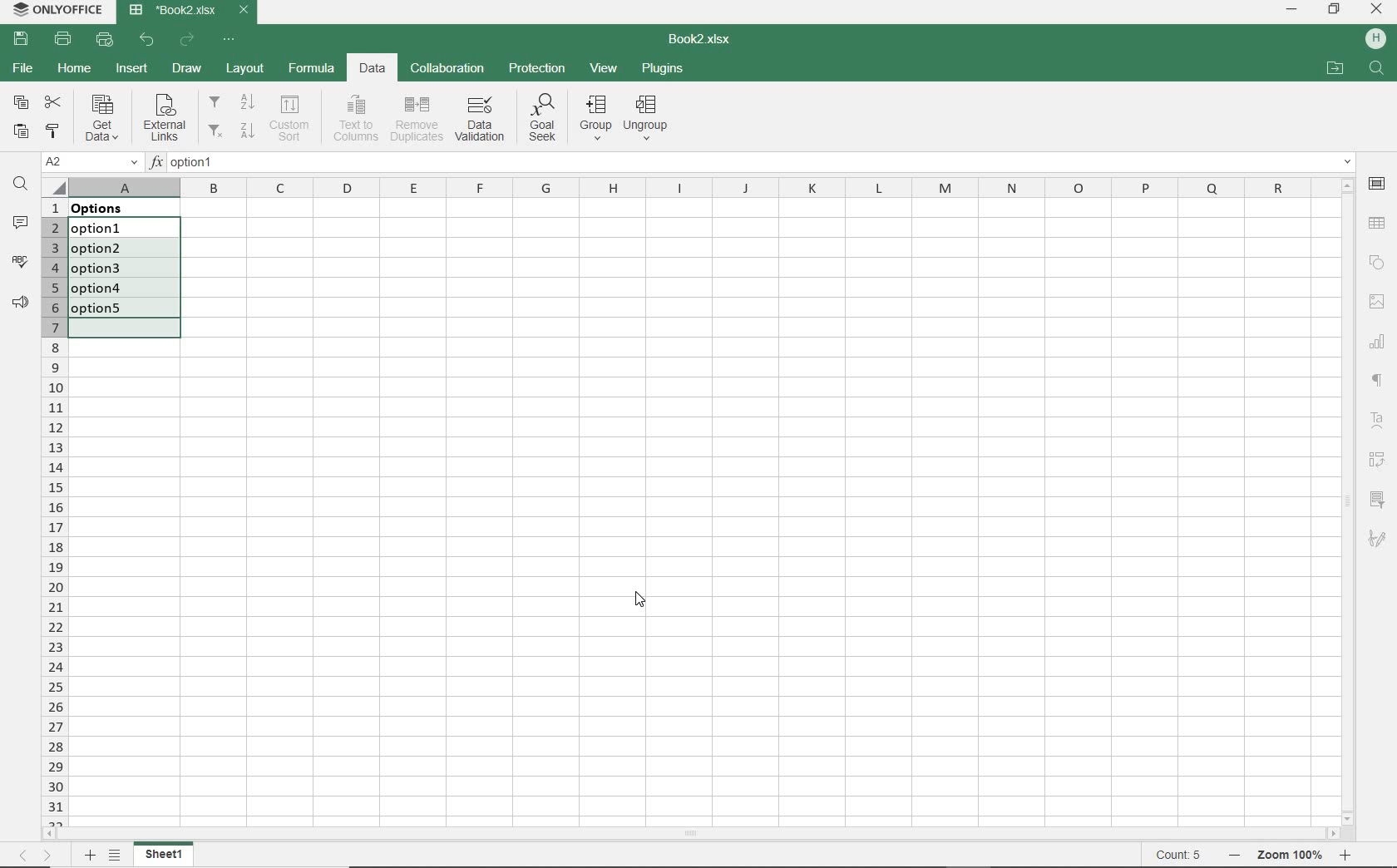 The height and width of the screenshot is (868, 1397). What do you see at coordinates (1381, 460) in the screenshot?
I see `Reverse ` at bounding box center [1381, 460].